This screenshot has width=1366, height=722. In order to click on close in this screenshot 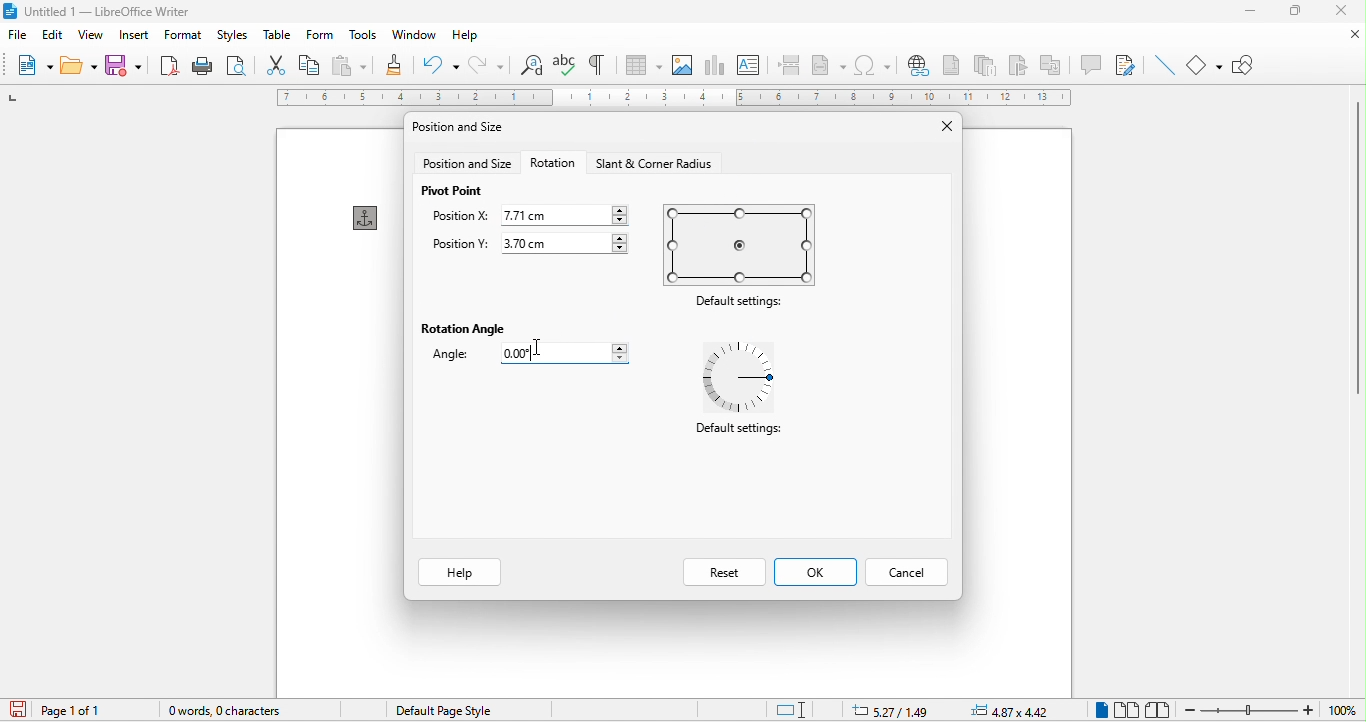, I will do `click(1343, 11)`.